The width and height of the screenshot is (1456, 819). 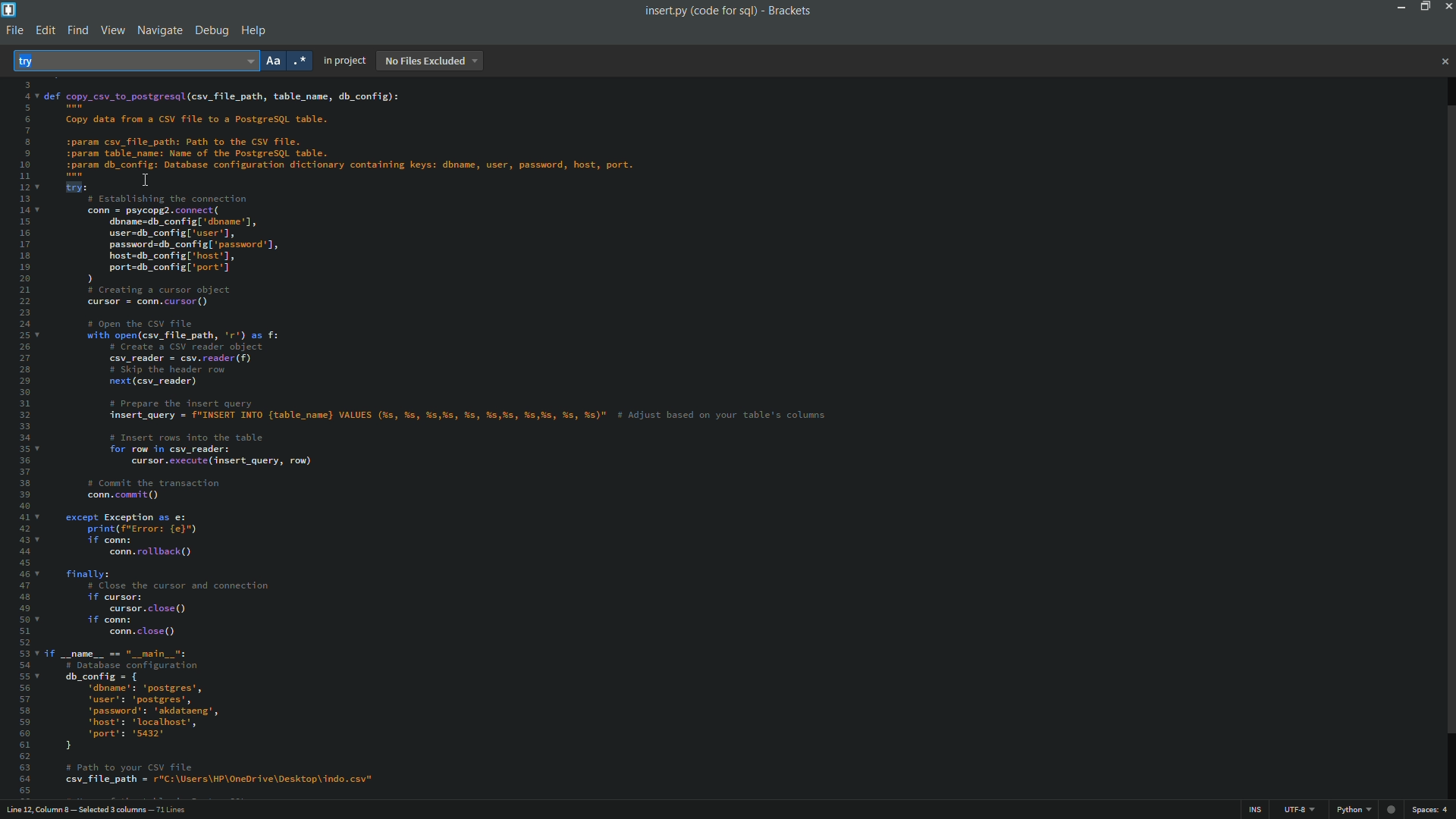 I want to click on regular expression, so click(x=301, y=61).